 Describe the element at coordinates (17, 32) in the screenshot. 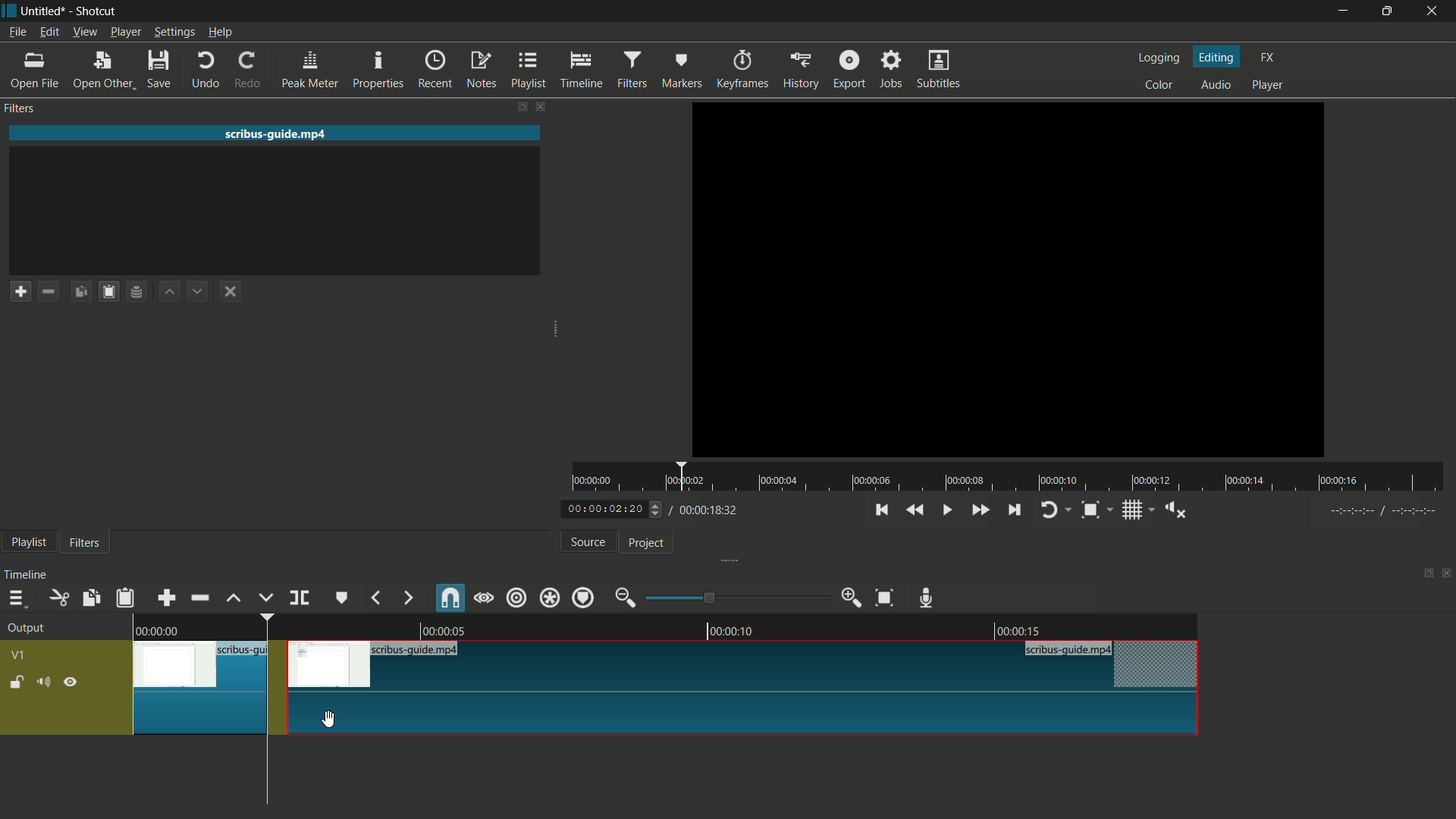

I see `file menu` at that location.